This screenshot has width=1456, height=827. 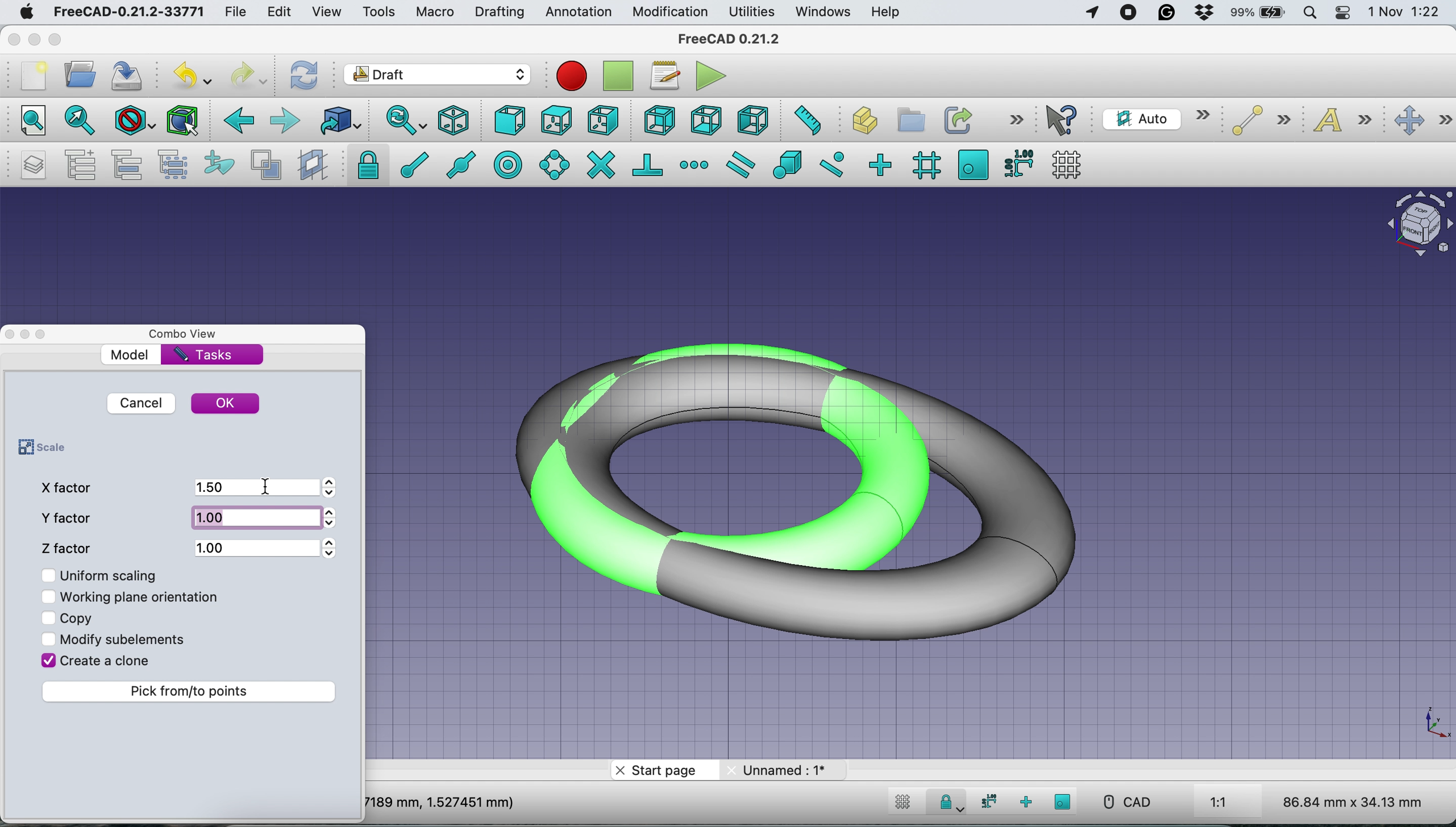 What do you see at coordinates (883, 164) in the screenshot?
I see `snap ortho` at bounding box center [883, 164].